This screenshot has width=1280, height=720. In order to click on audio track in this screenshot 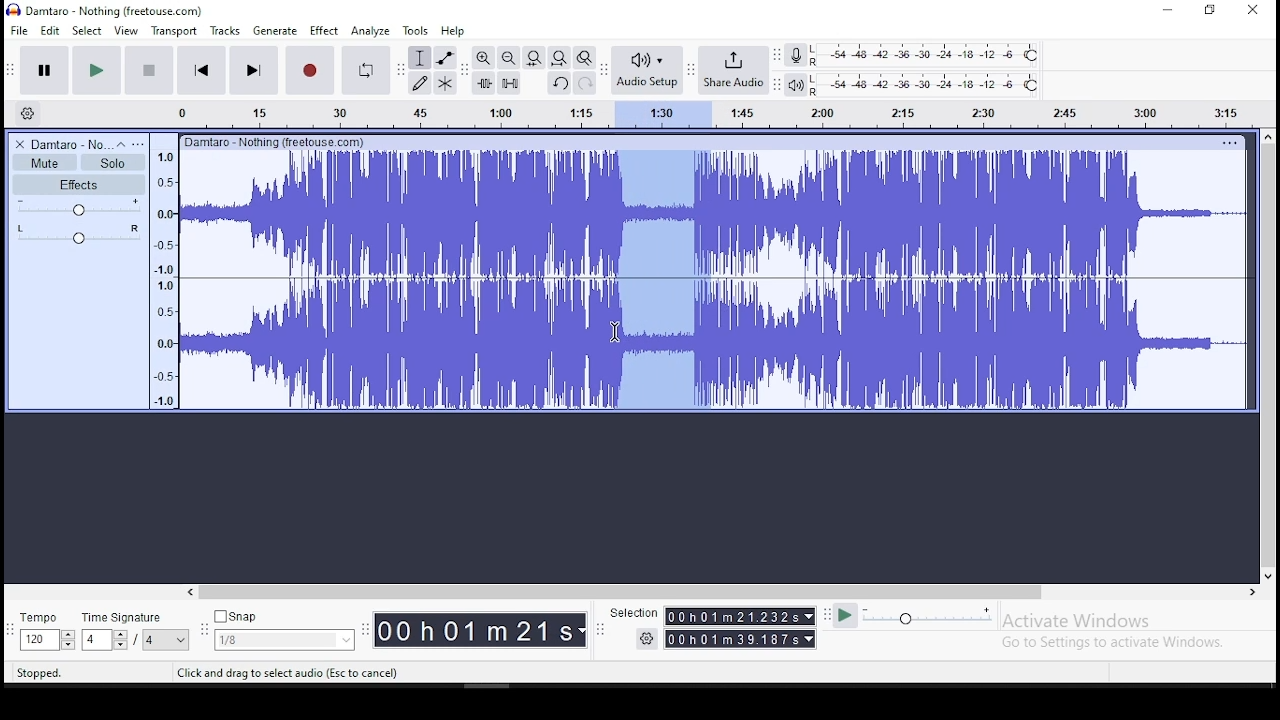, I will do `click(714, 213)`.